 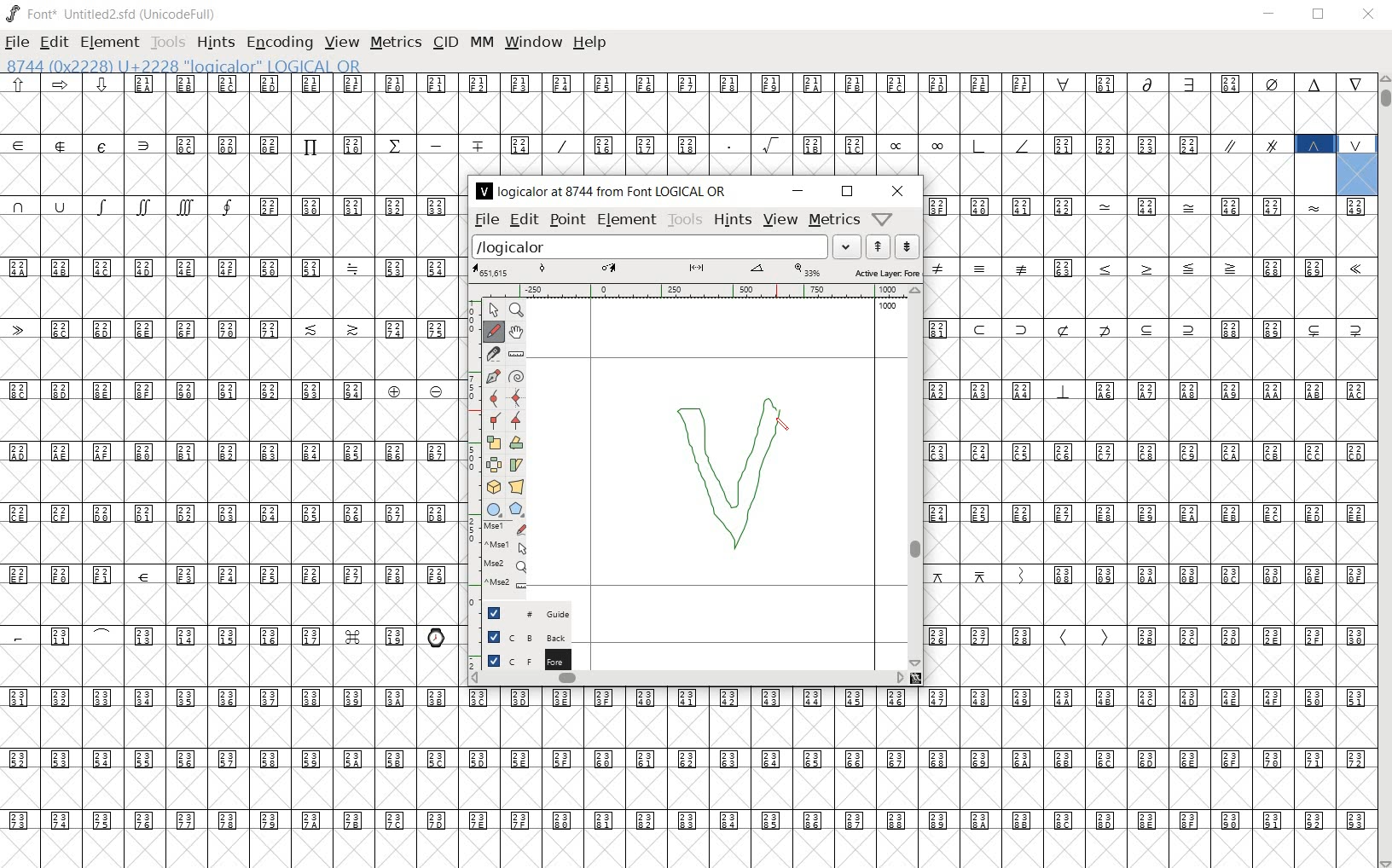 What do you see at coordinates (591, 42) in the screenshot?
I see `help` at bounding box center [591, 42].